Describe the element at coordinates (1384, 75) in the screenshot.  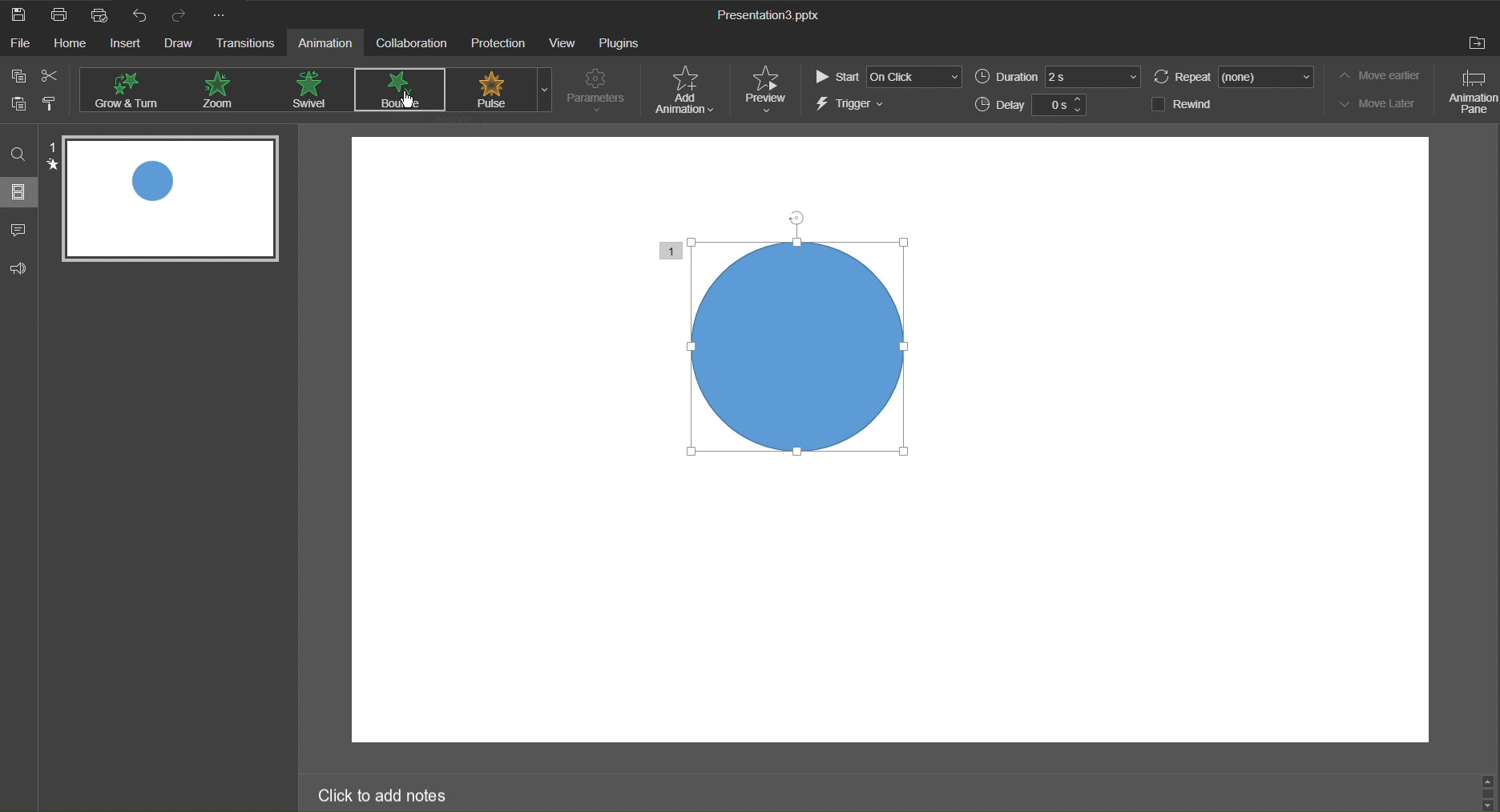
I see `Move earlier` at that location.